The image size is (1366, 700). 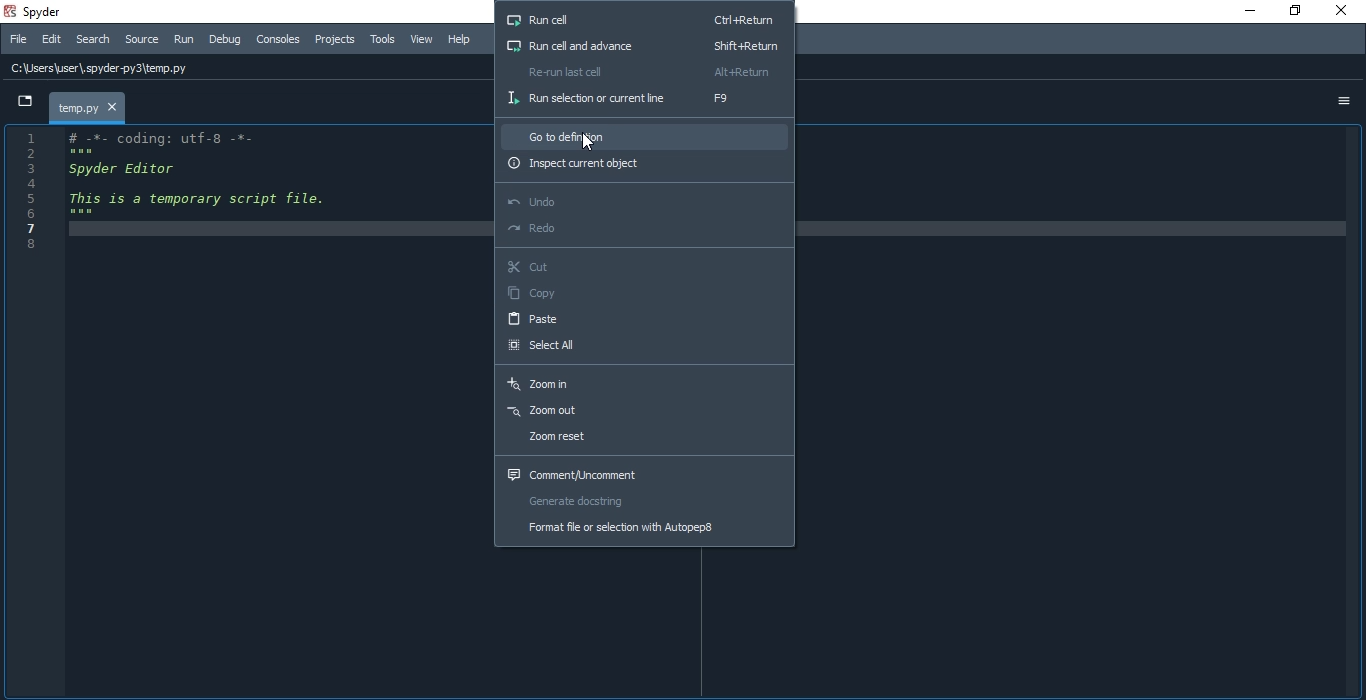 I want to click on 5 This 1s a temporary script file., so click(x=176, y=198).